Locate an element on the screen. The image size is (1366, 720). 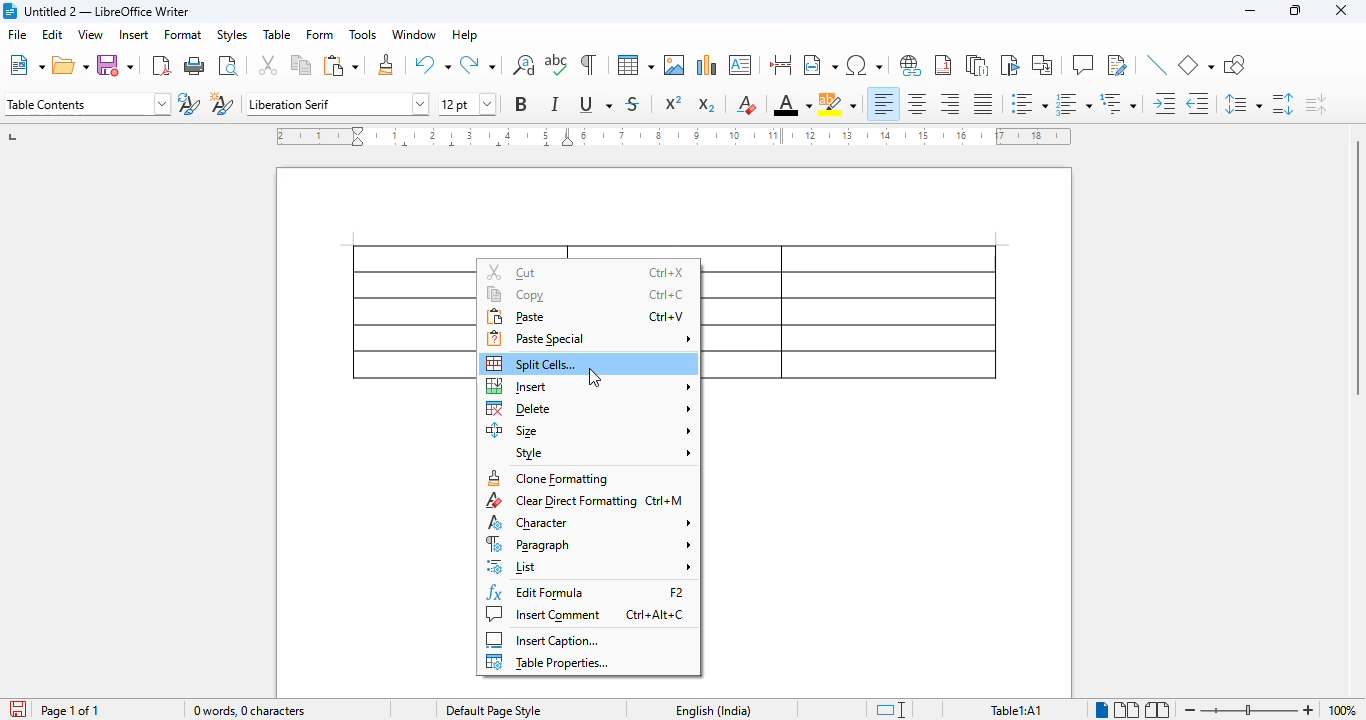
new is located at coordinates (26, 66).